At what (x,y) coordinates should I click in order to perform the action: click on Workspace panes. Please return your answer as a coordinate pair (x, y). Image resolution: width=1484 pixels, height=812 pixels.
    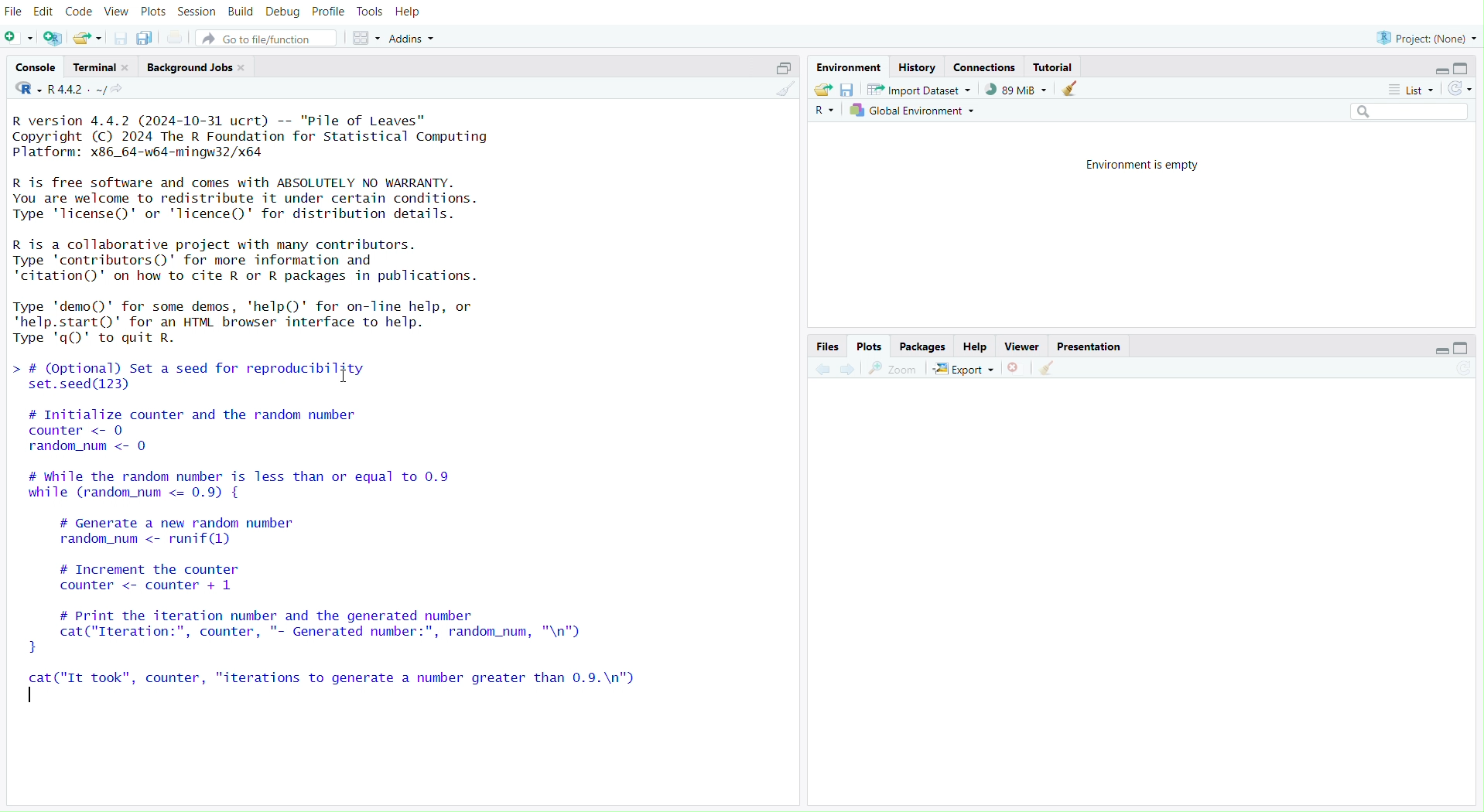
    Looking at the image, I should click on (366, 36).